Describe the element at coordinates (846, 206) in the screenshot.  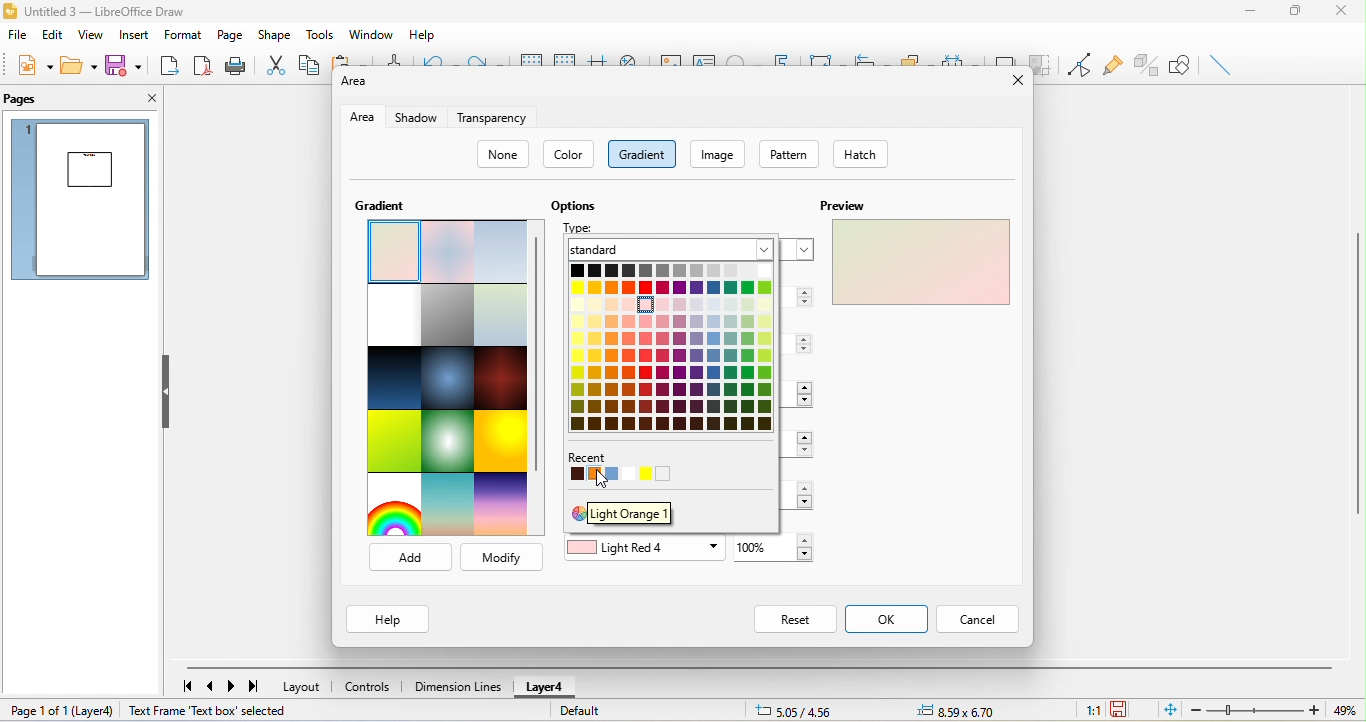
I see `preview` at that location.